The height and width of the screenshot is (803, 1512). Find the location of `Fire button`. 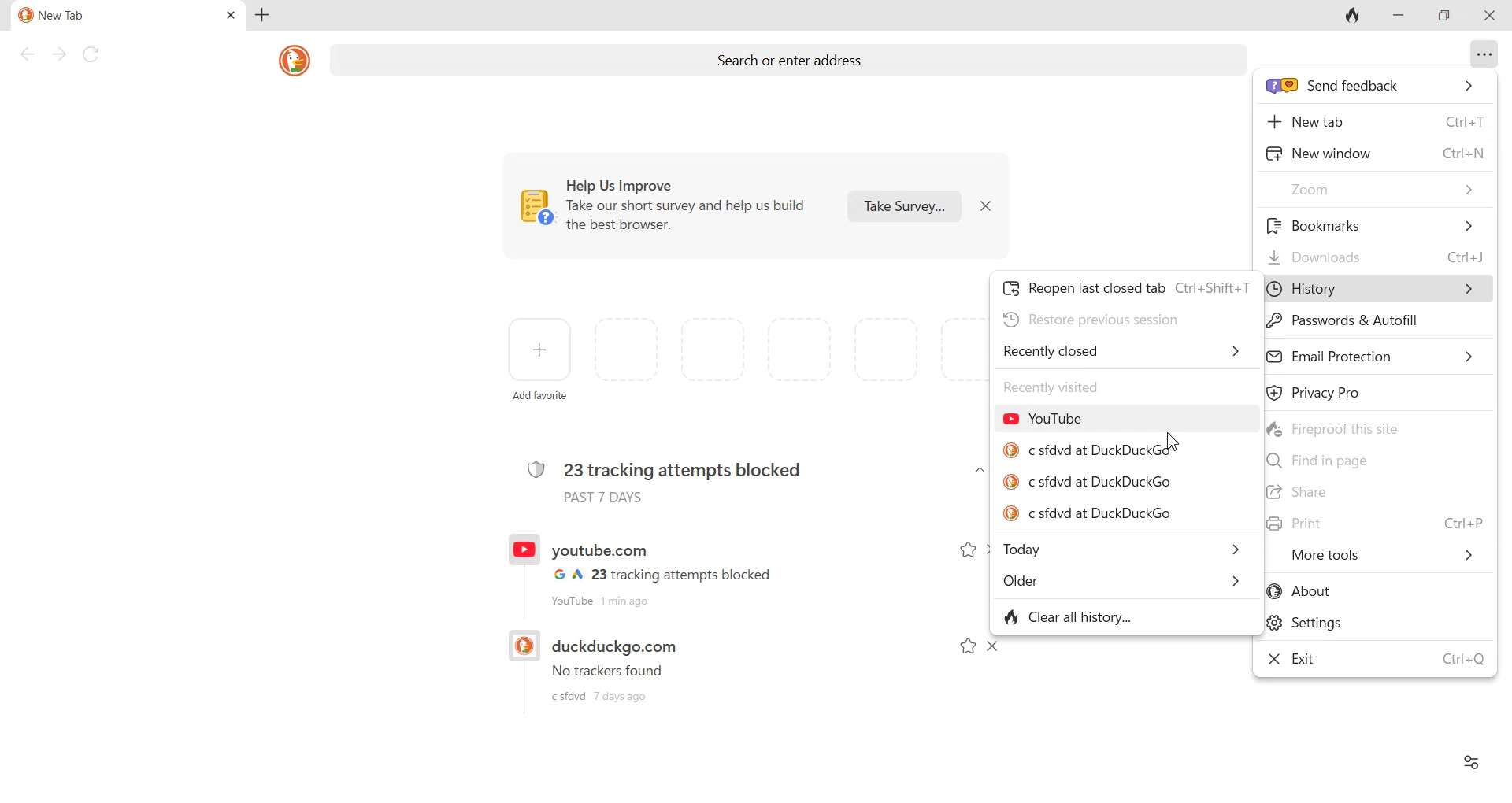

Fire button is located at coordinates (1353, 16).